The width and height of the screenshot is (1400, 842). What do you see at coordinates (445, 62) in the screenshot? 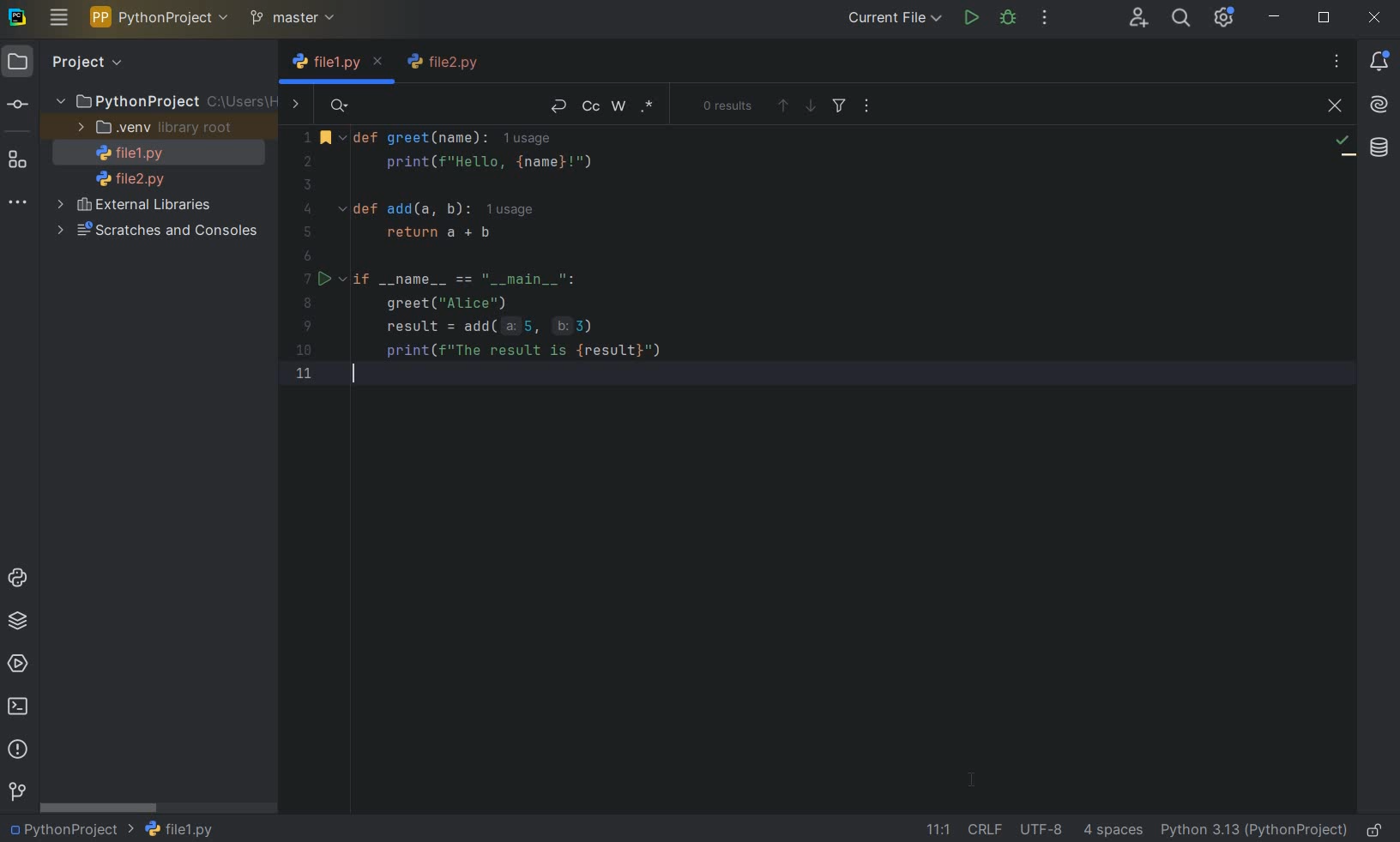
I see `FILE NAME 2` at bounding box center [445, 62].